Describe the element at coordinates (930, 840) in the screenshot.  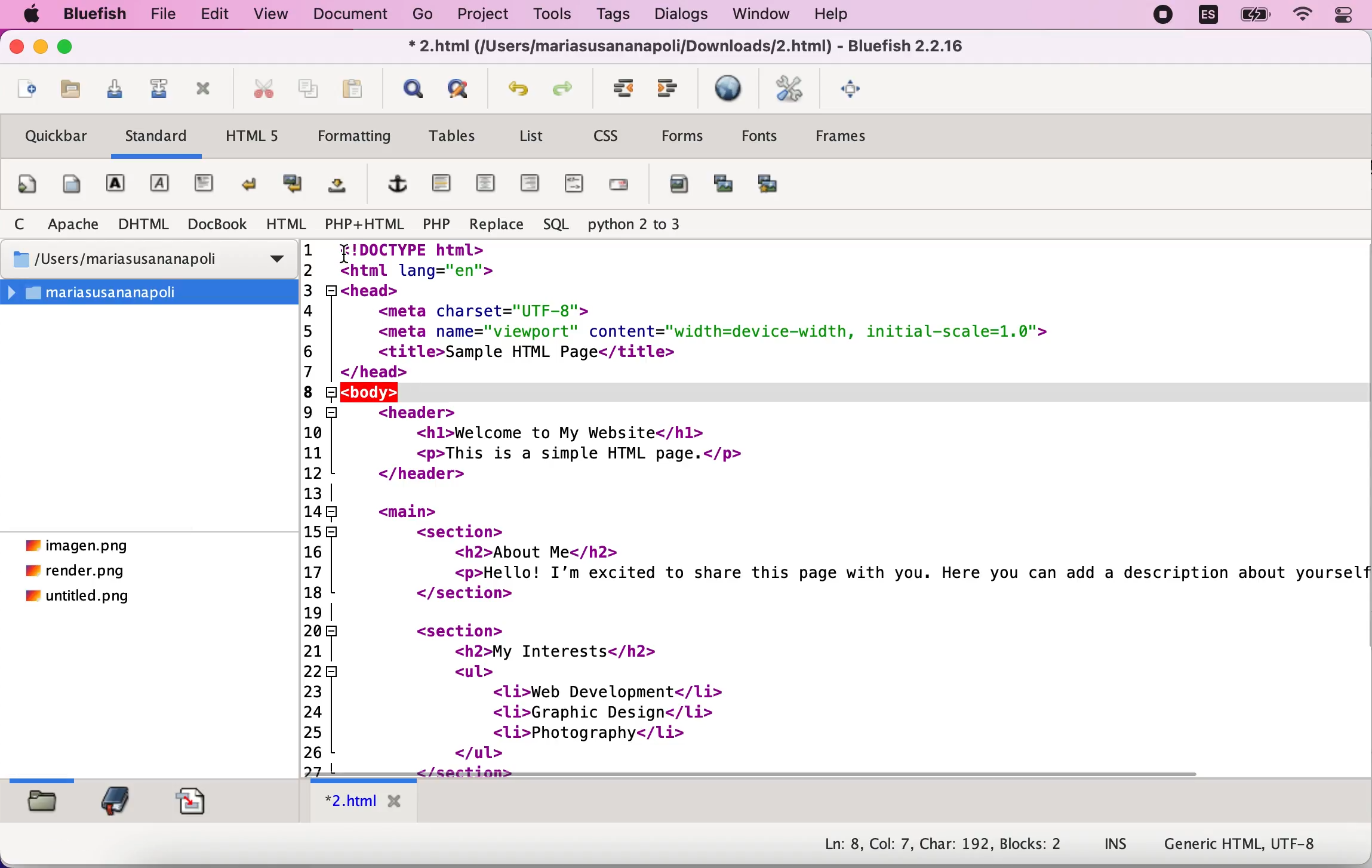
I see `Ln: 8, Col: 7, Char: 192, Blocks: 2` at that location.